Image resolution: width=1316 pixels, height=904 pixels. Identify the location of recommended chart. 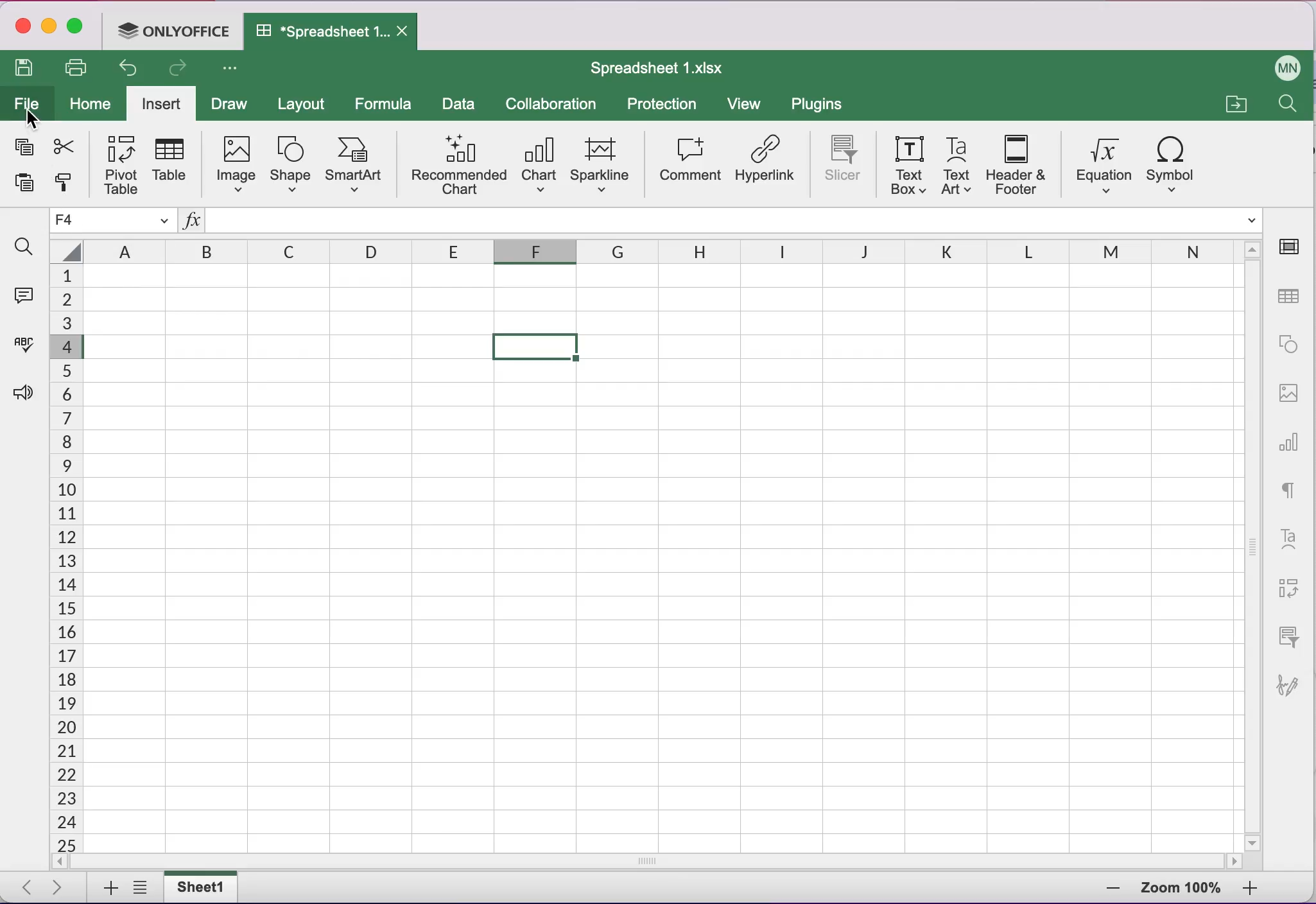
(458, 164).